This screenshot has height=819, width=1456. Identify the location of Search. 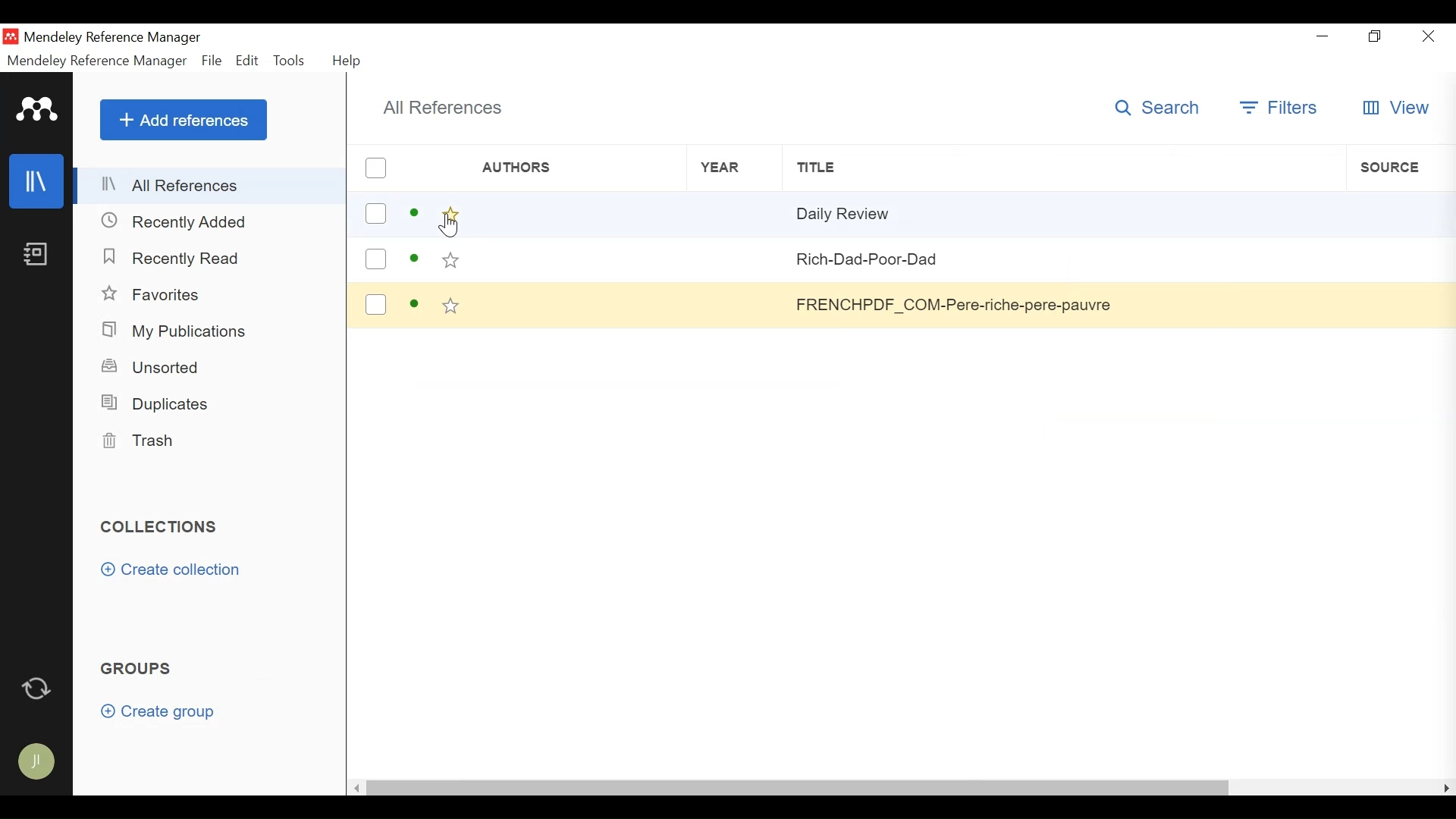
(1157, 108).